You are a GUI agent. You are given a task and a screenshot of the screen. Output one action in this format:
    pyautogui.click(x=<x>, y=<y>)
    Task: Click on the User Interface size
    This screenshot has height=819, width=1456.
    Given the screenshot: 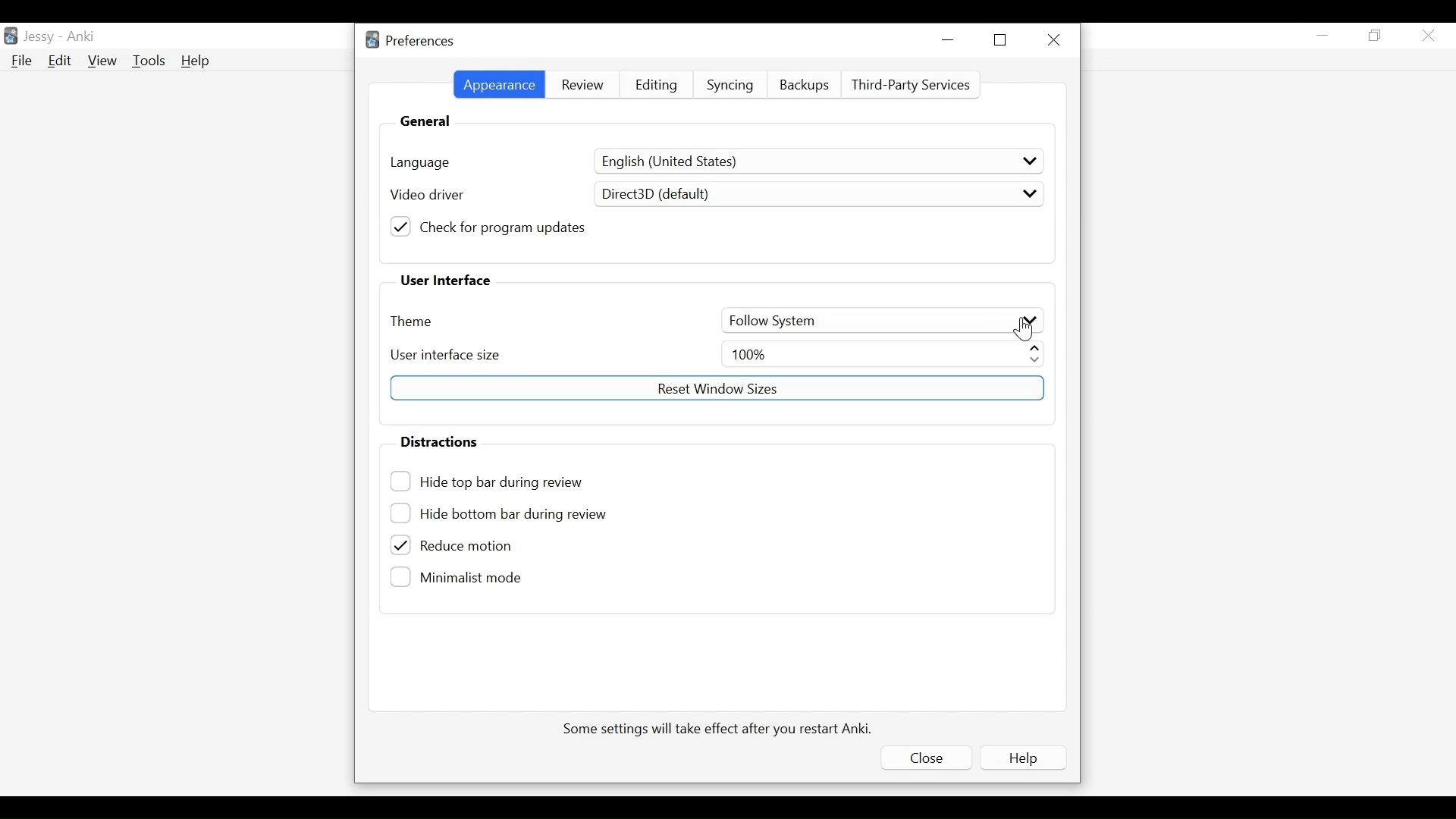 What is the action you would take?
    pyautogui.click(x=444, y=354)
    